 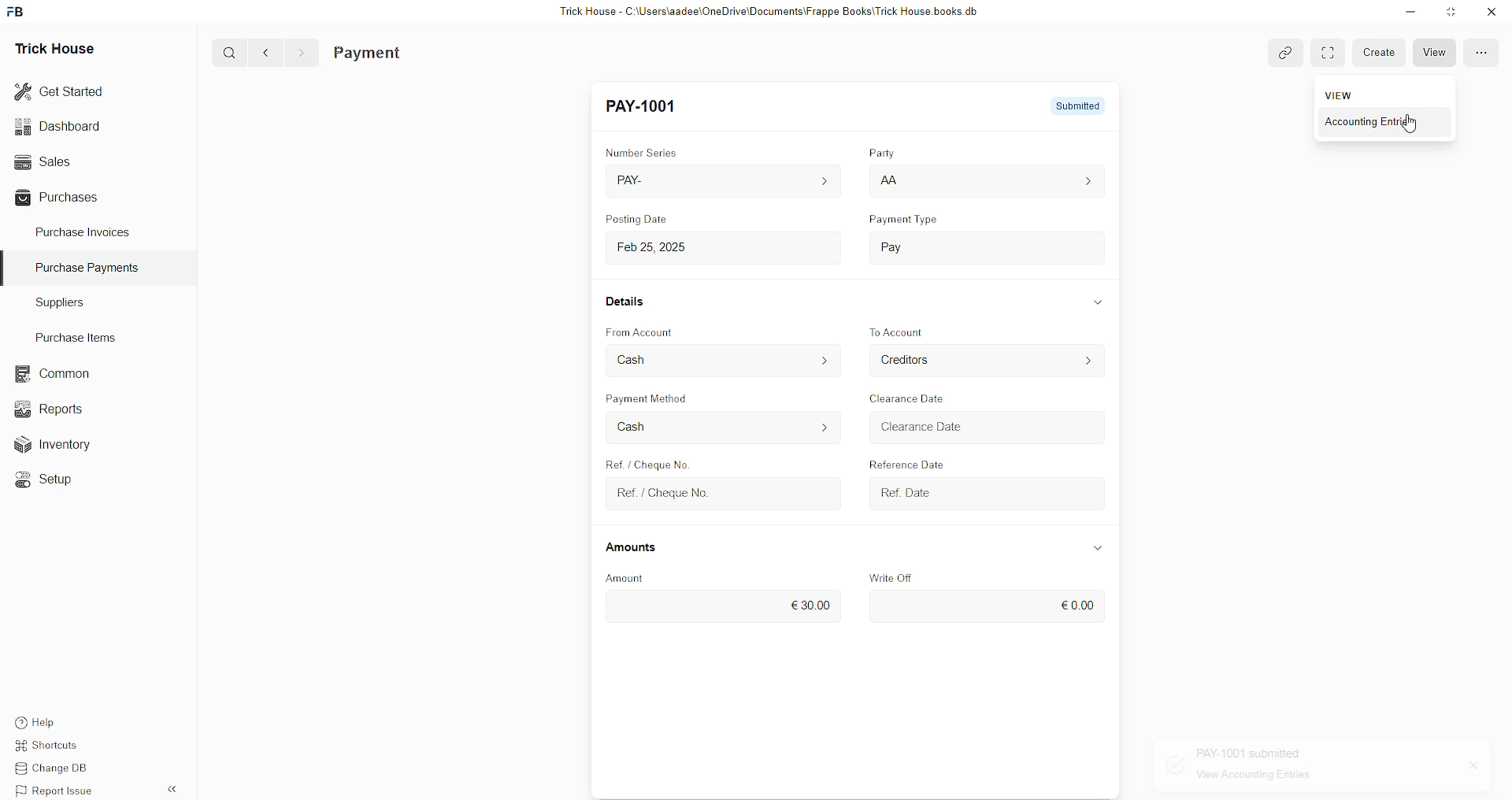 What do you see at coordinates (909, 220) in the screenshot?
I see `payment type` at bounding box center [909, 220].